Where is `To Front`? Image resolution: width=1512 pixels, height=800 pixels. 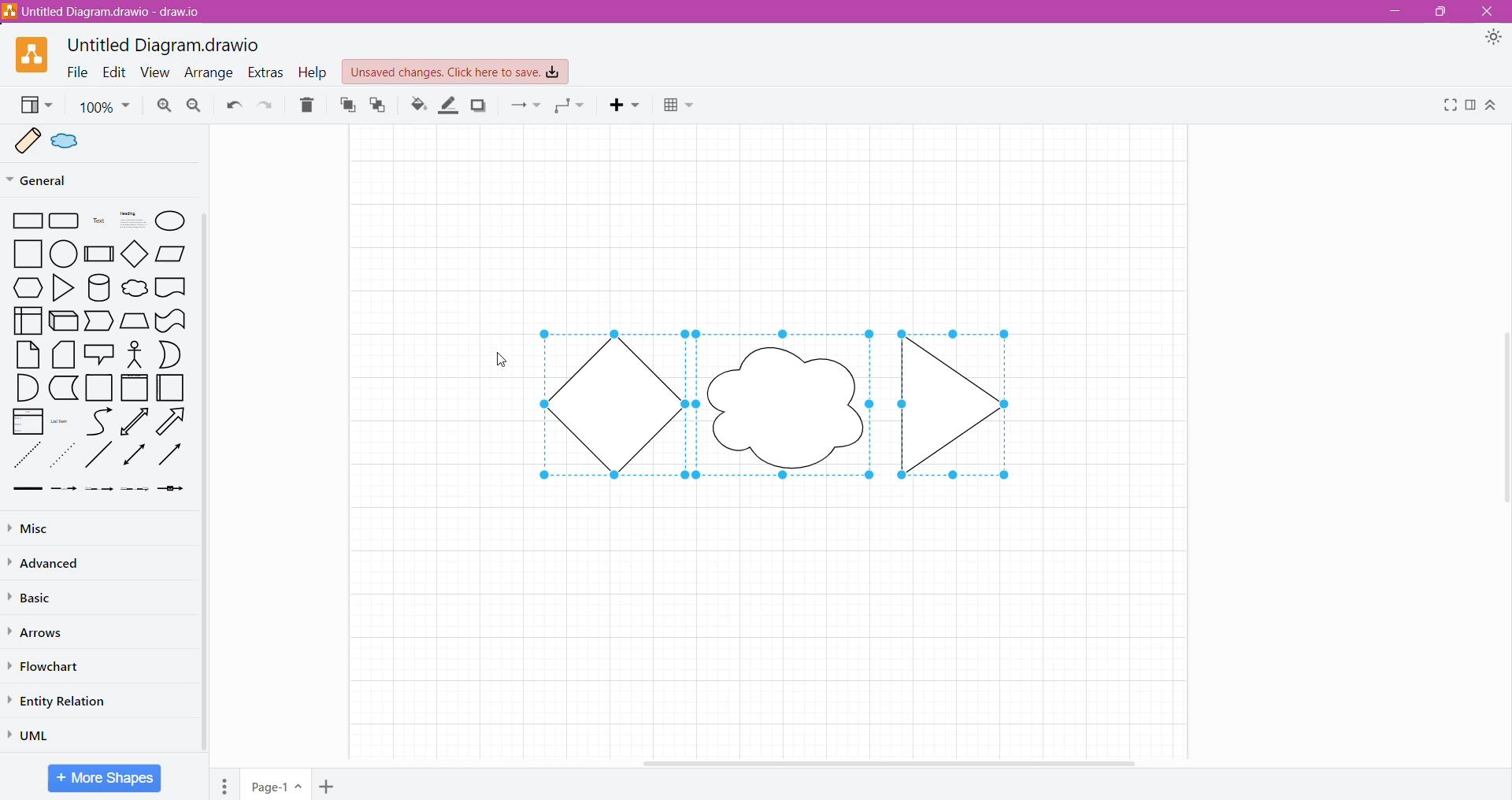 To Front is located at coordinates (346, 106).